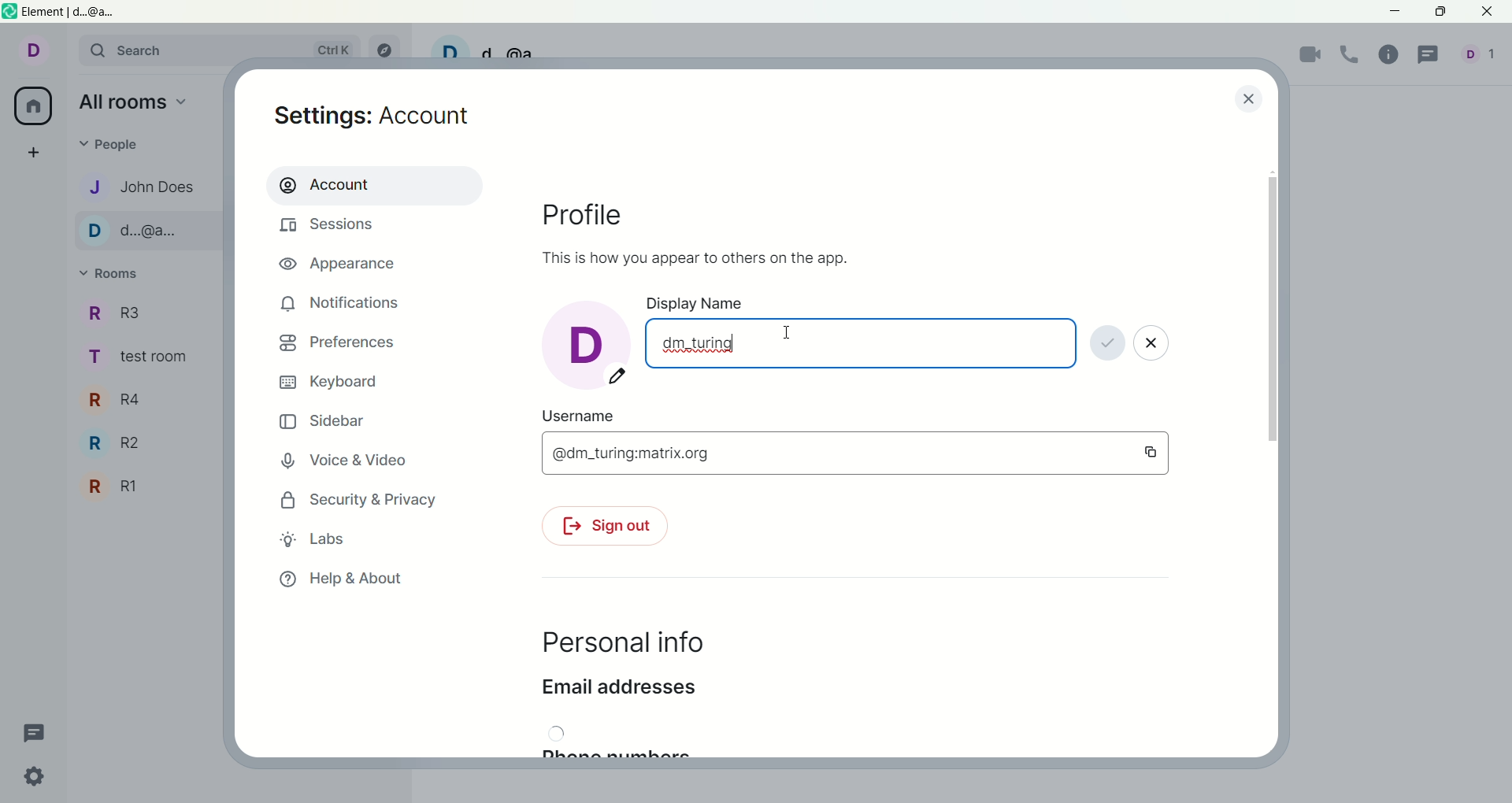 This screenshot has width=1512, height=803. What do you see at coordinates (135, 105) in the screenshot?
I see `all rooms` at bounding box center [135, 105].